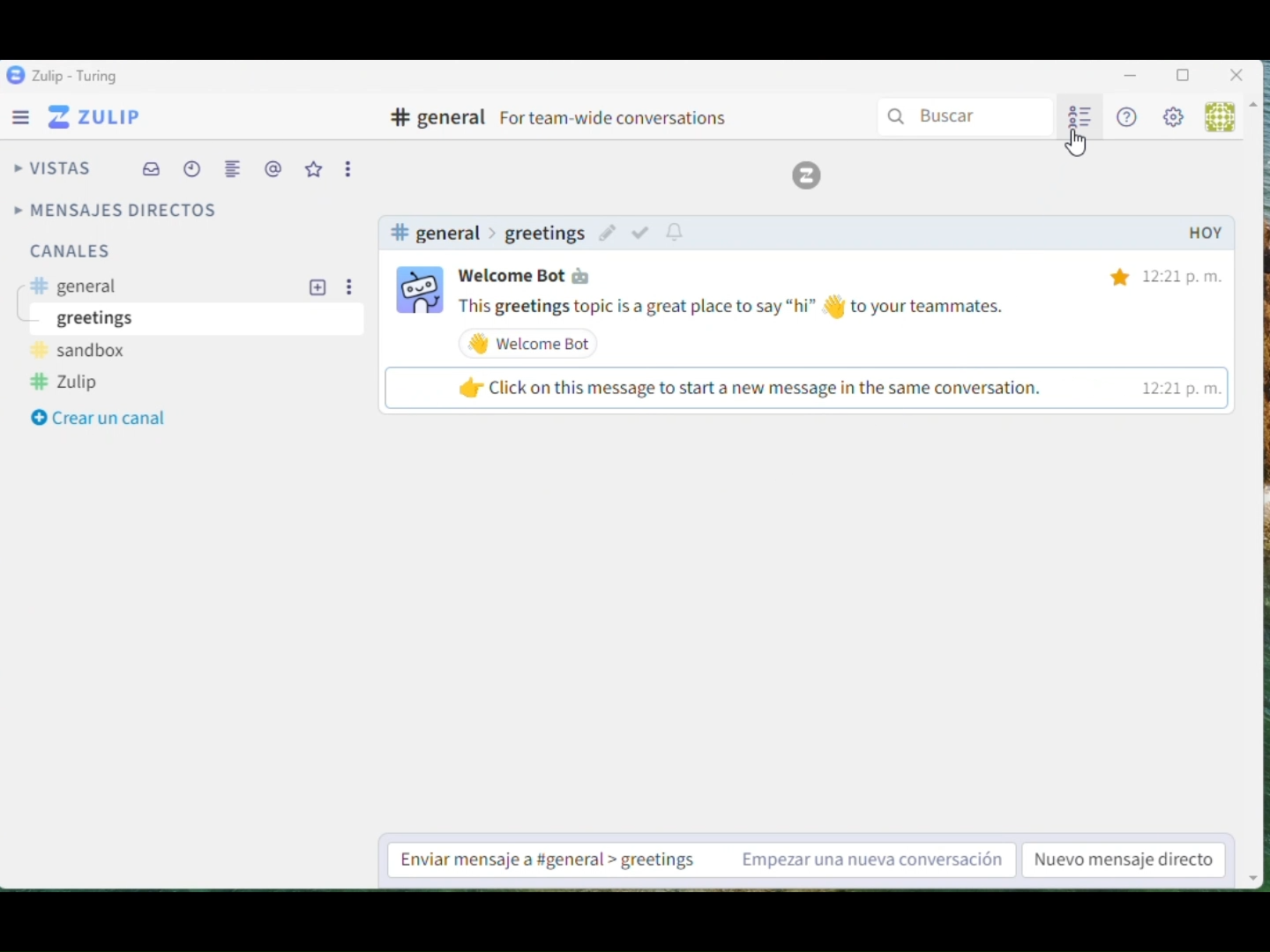  I want to click on sandbox, so click(85, 350).